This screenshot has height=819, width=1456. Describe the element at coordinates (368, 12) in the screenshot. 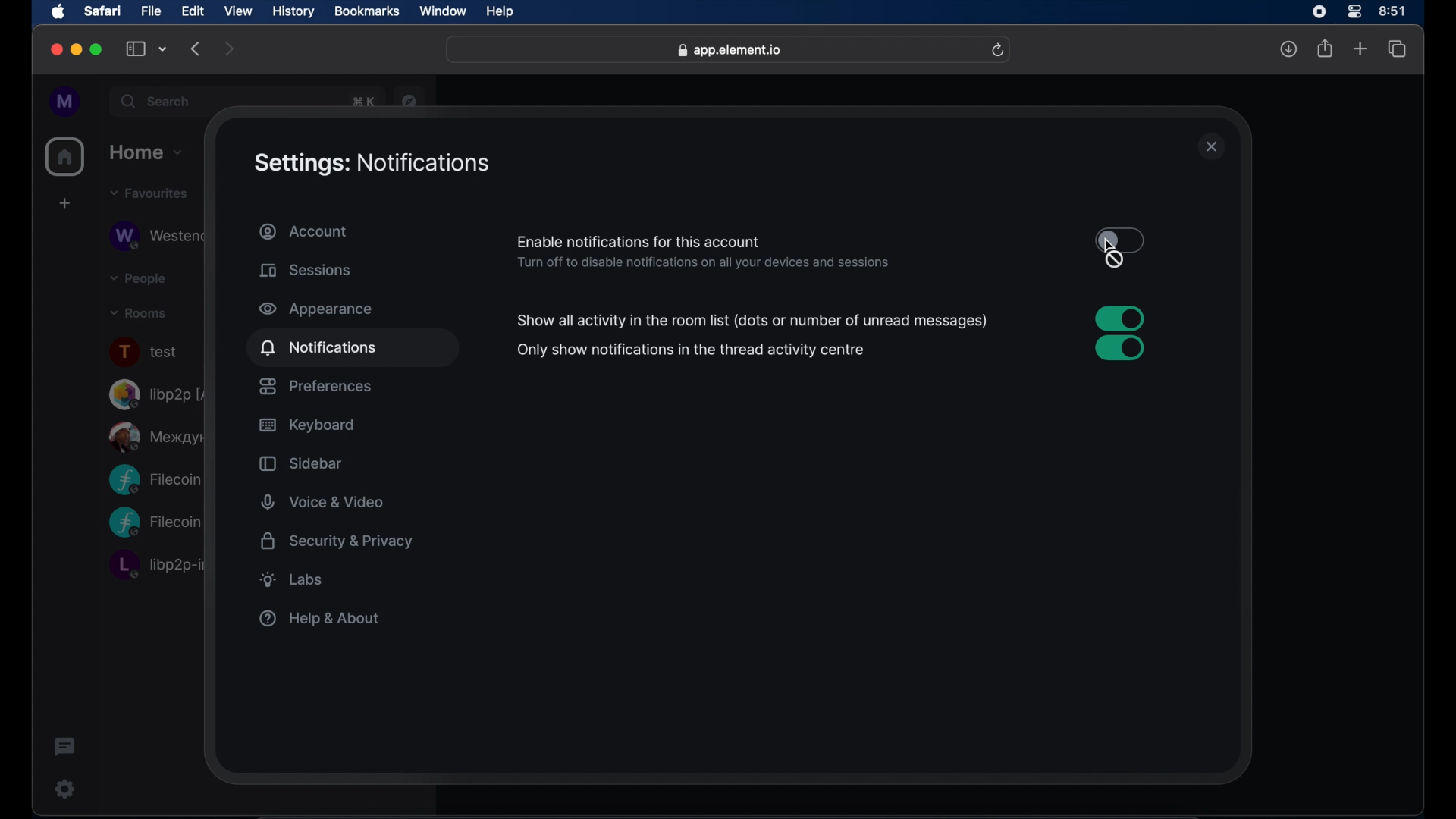

I see `bookmarks` at that location.